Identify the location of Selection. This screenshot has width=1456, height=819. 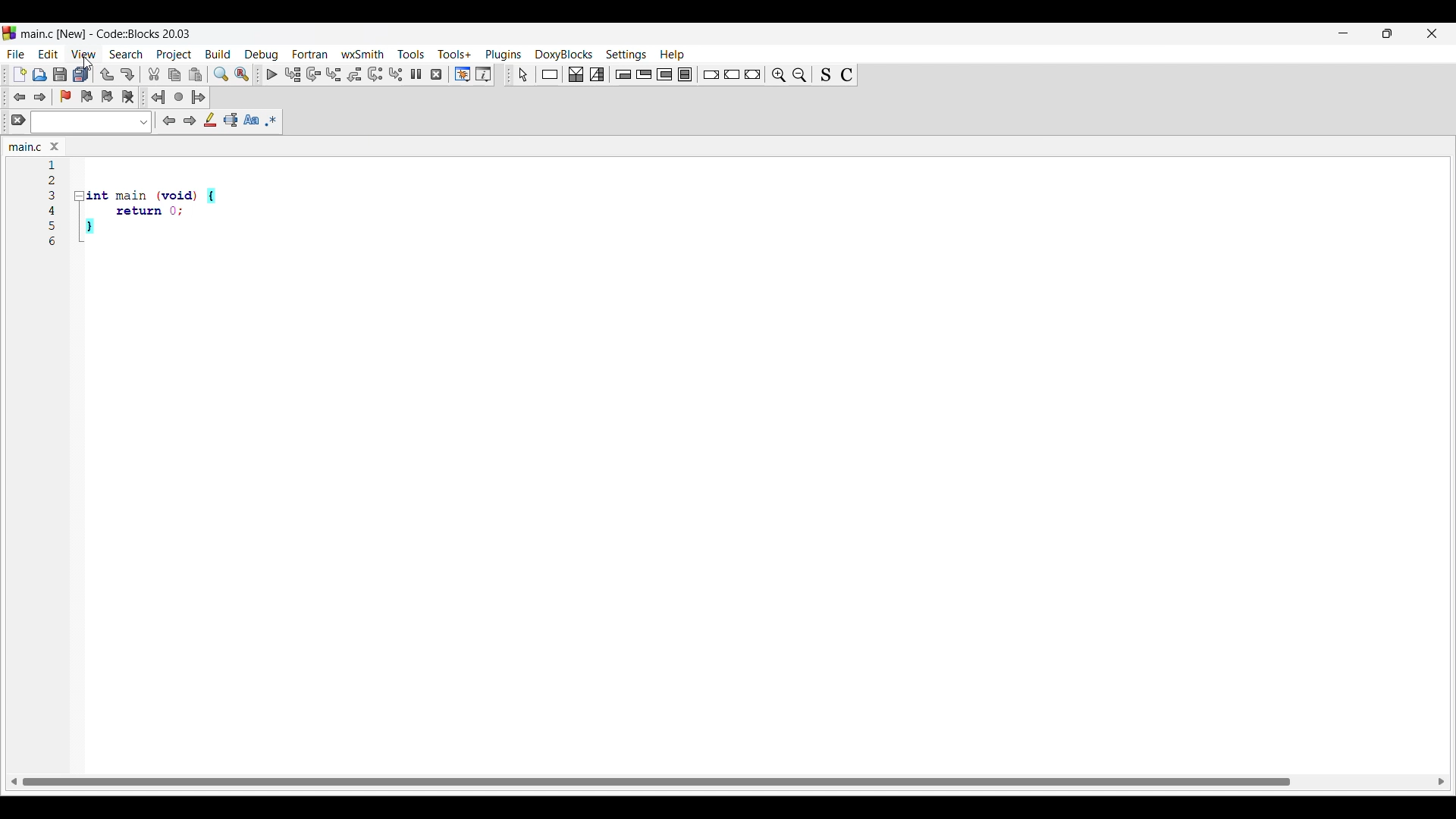
(598, 74).